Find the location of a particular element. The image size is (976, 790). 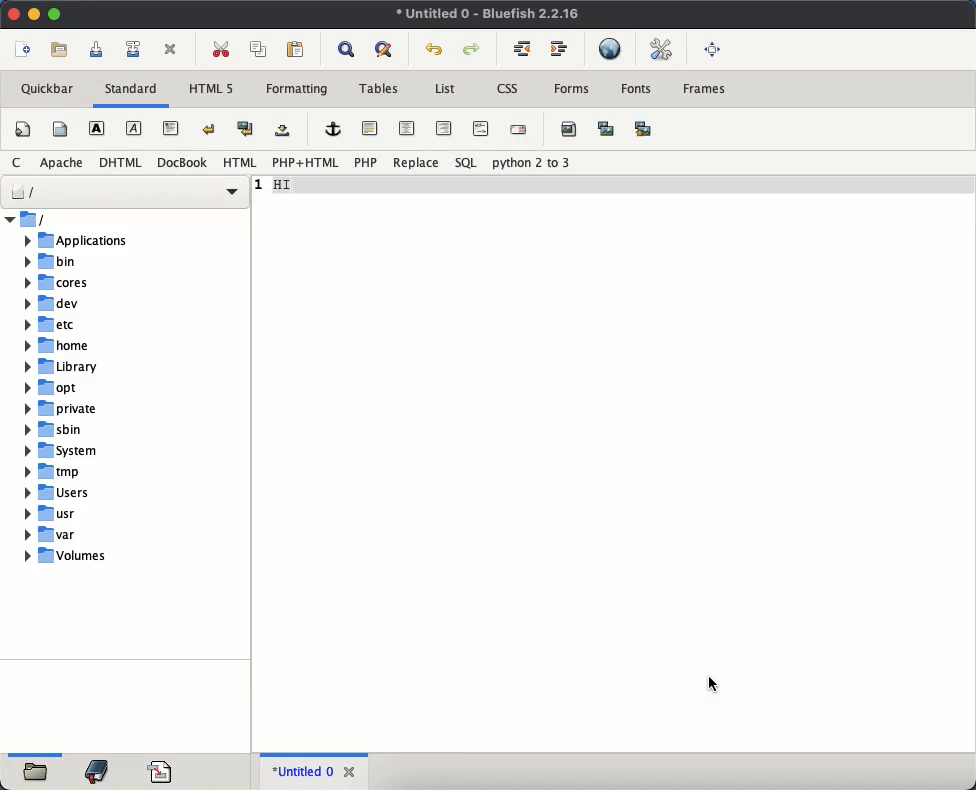

paragraph is located at coordinates (171, 127).